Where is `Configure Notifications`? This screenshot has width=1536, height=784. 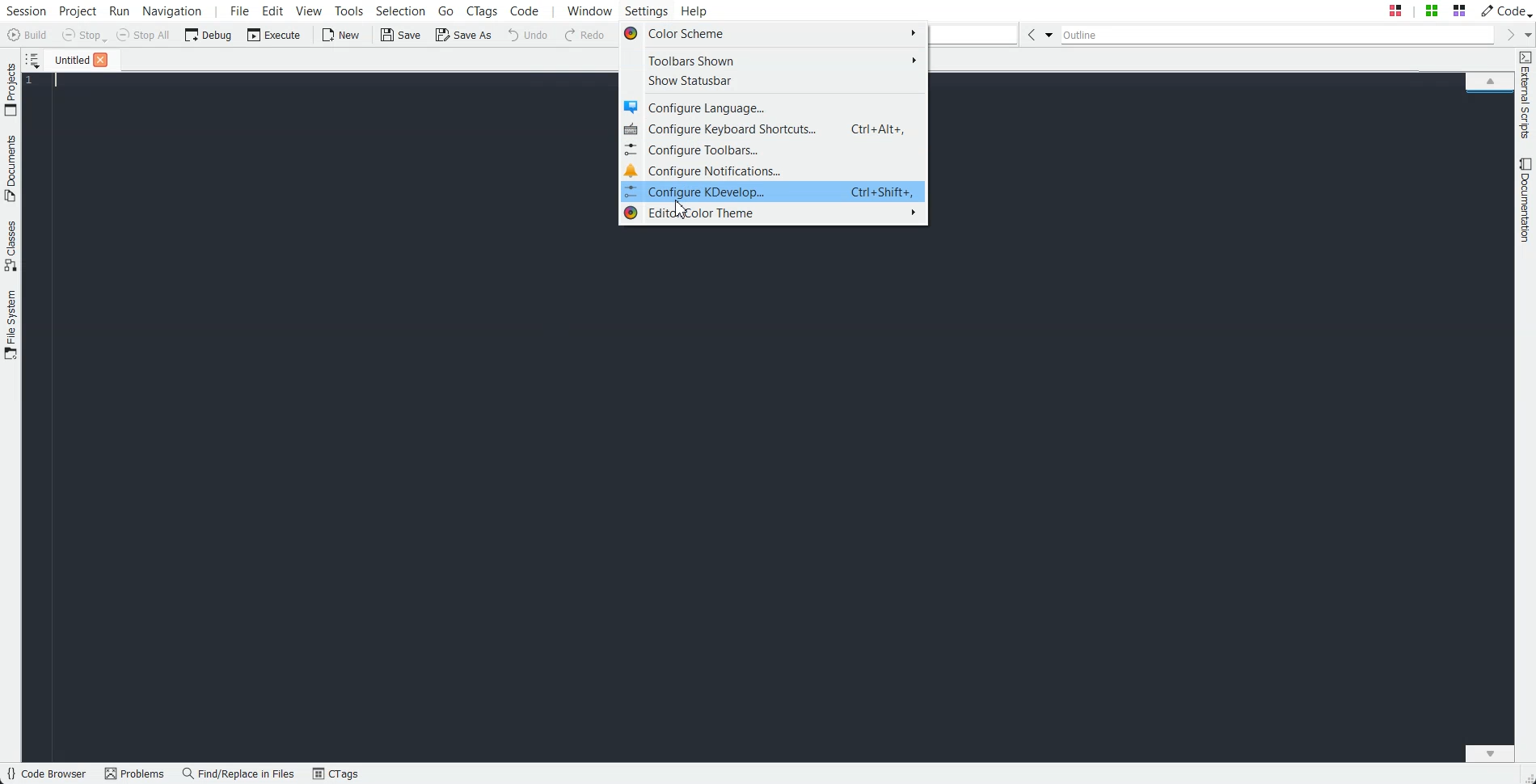 Configure Notifications is located at coordinates (773, 170).